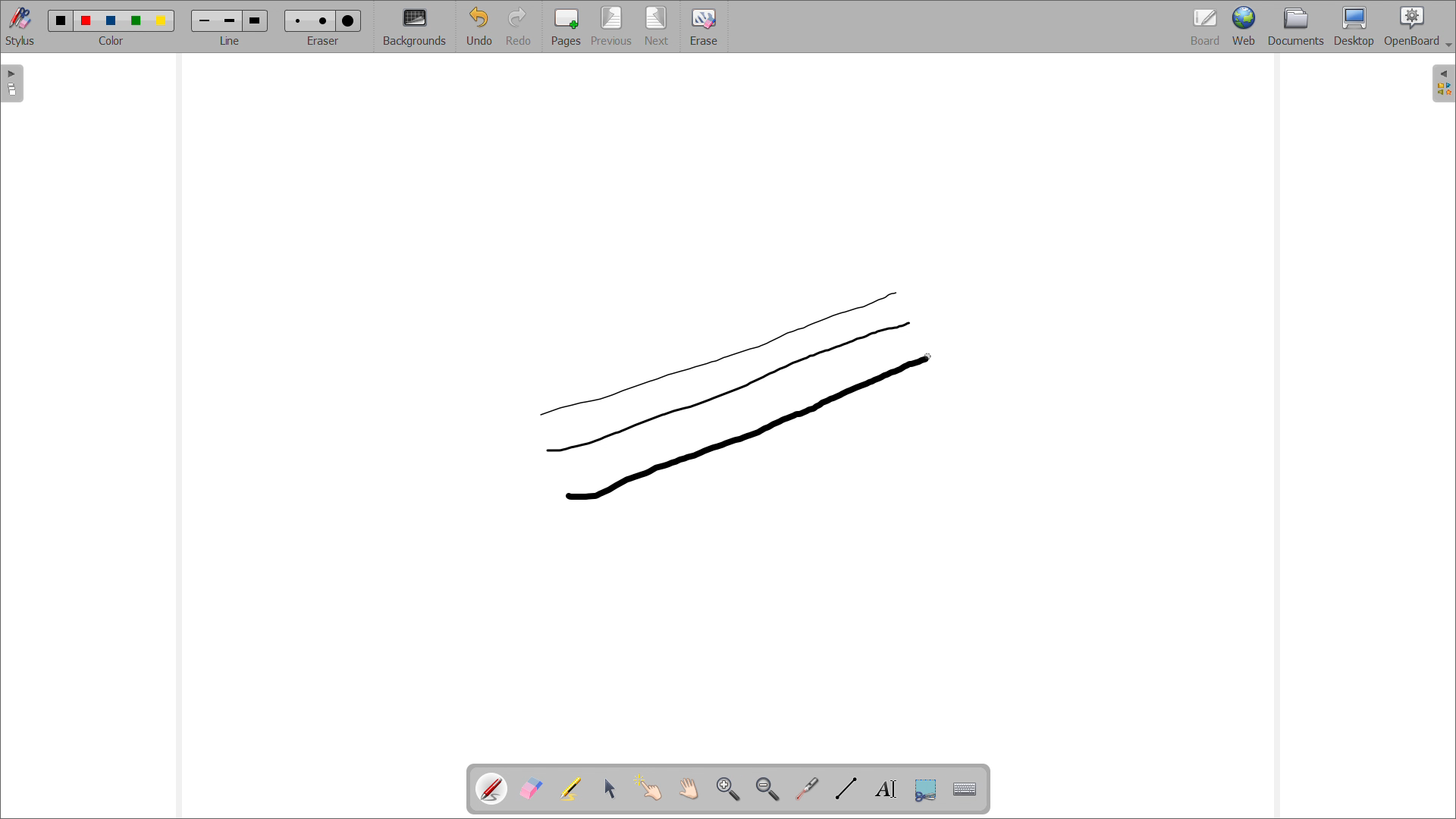 The image size is (1456, 819). What do you see at coordinates (846, 789) in the screenshot?
I see `draw lines` at bounding box center [846, 789].